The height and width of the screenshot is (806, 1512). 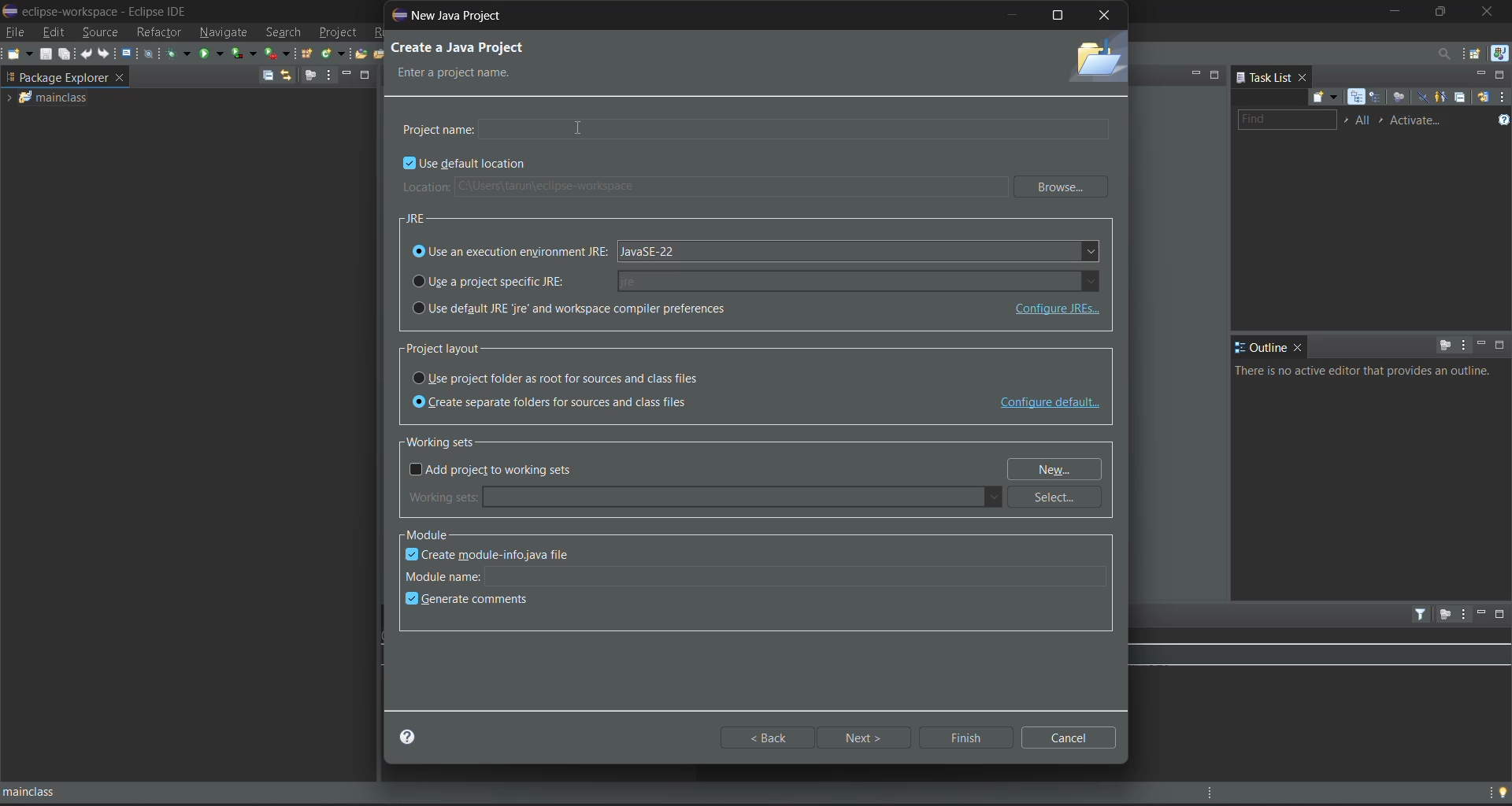 I want to click on hide completed tasks, so click(x=1421, y=96).